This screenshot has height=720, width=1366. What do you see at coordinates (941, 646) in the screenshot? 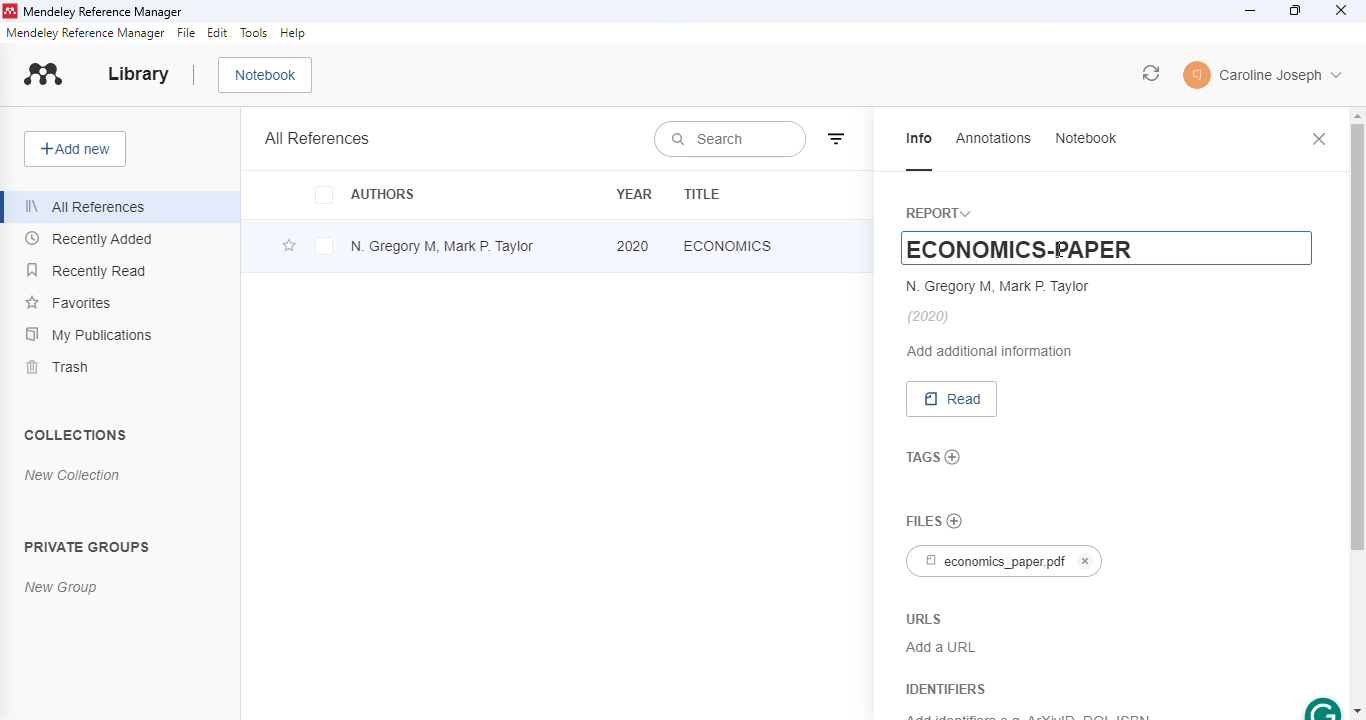
I see `Add a URL` at bounding box center [941, 646].